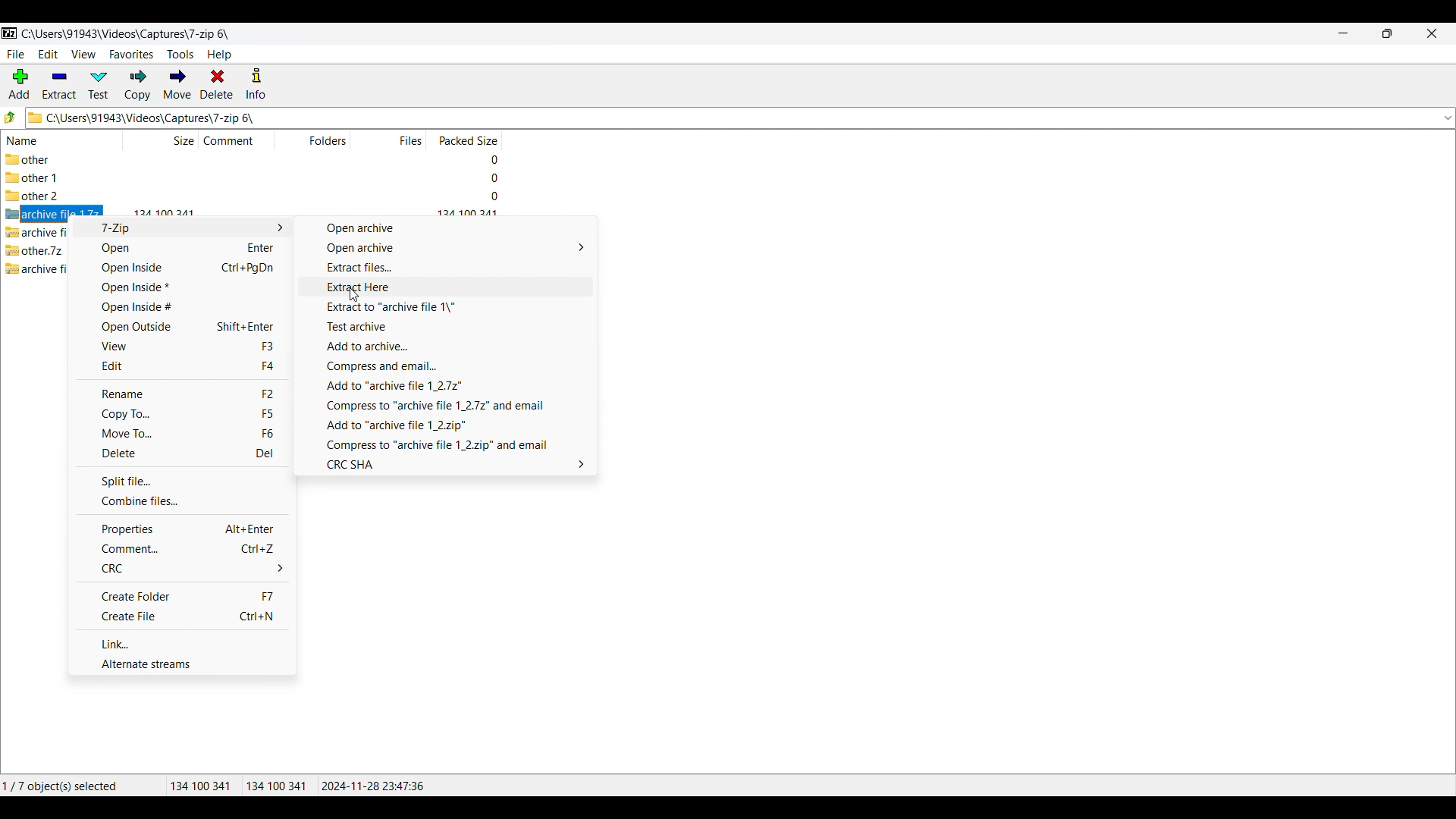 This screenshot has height=819, width=1456. I want to click on 134100 341, so click(200, 786).